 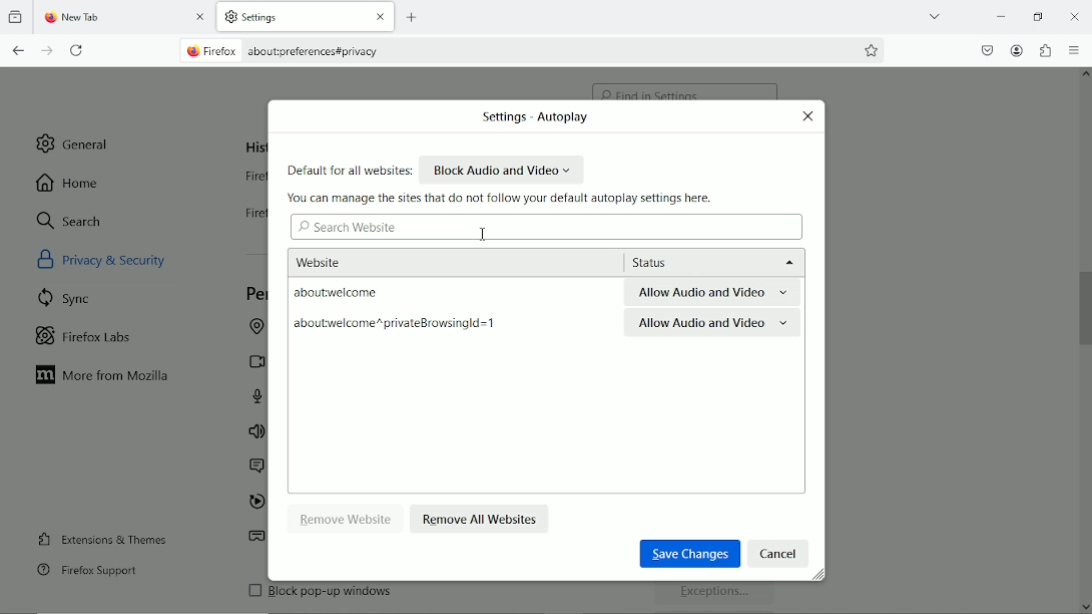 I want to click on scroll up, so click(x=1084, y=77).